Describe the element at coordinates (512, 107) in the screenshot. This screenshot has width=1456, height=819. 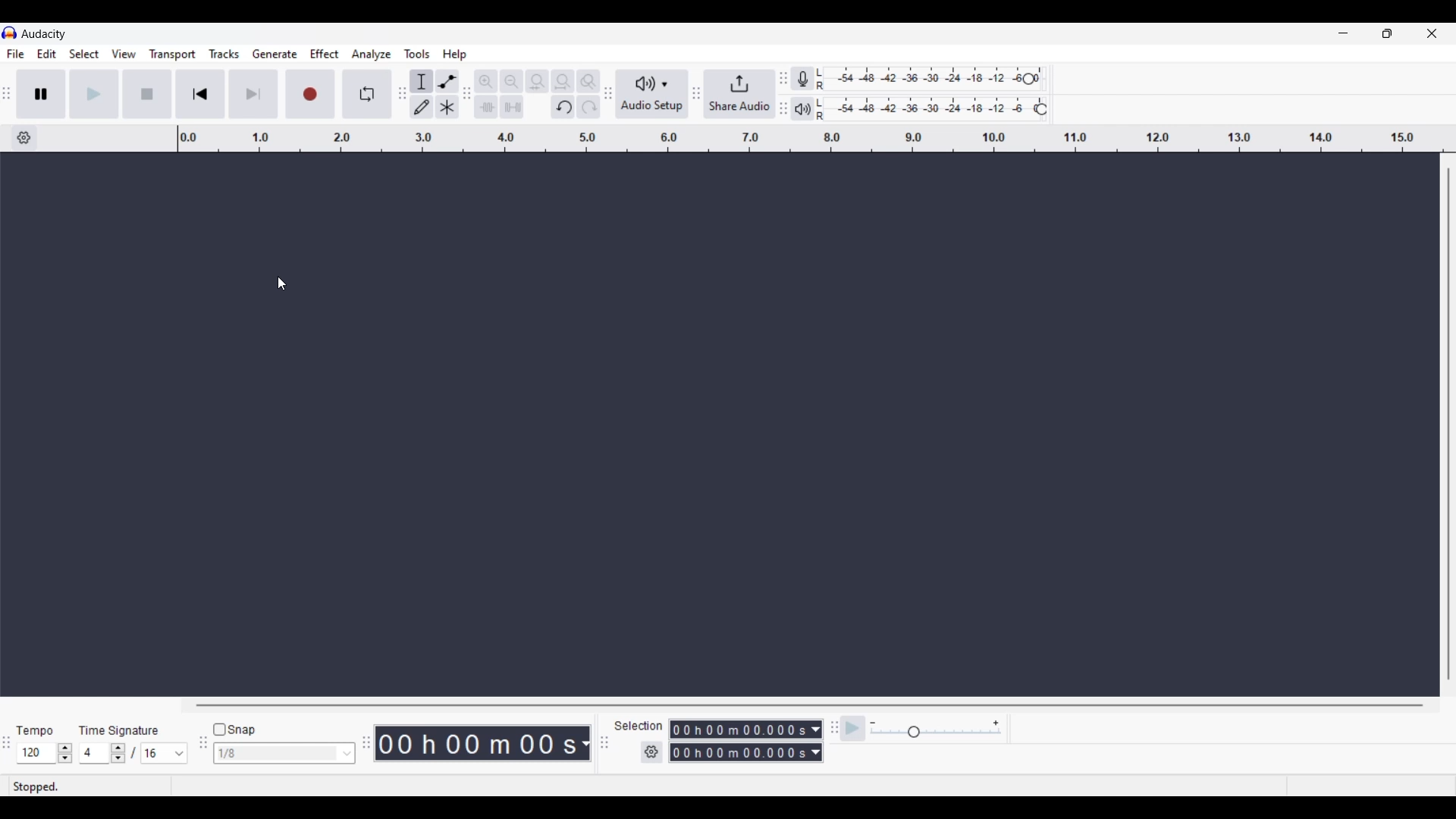
I see `Silence audio selection` at that location.